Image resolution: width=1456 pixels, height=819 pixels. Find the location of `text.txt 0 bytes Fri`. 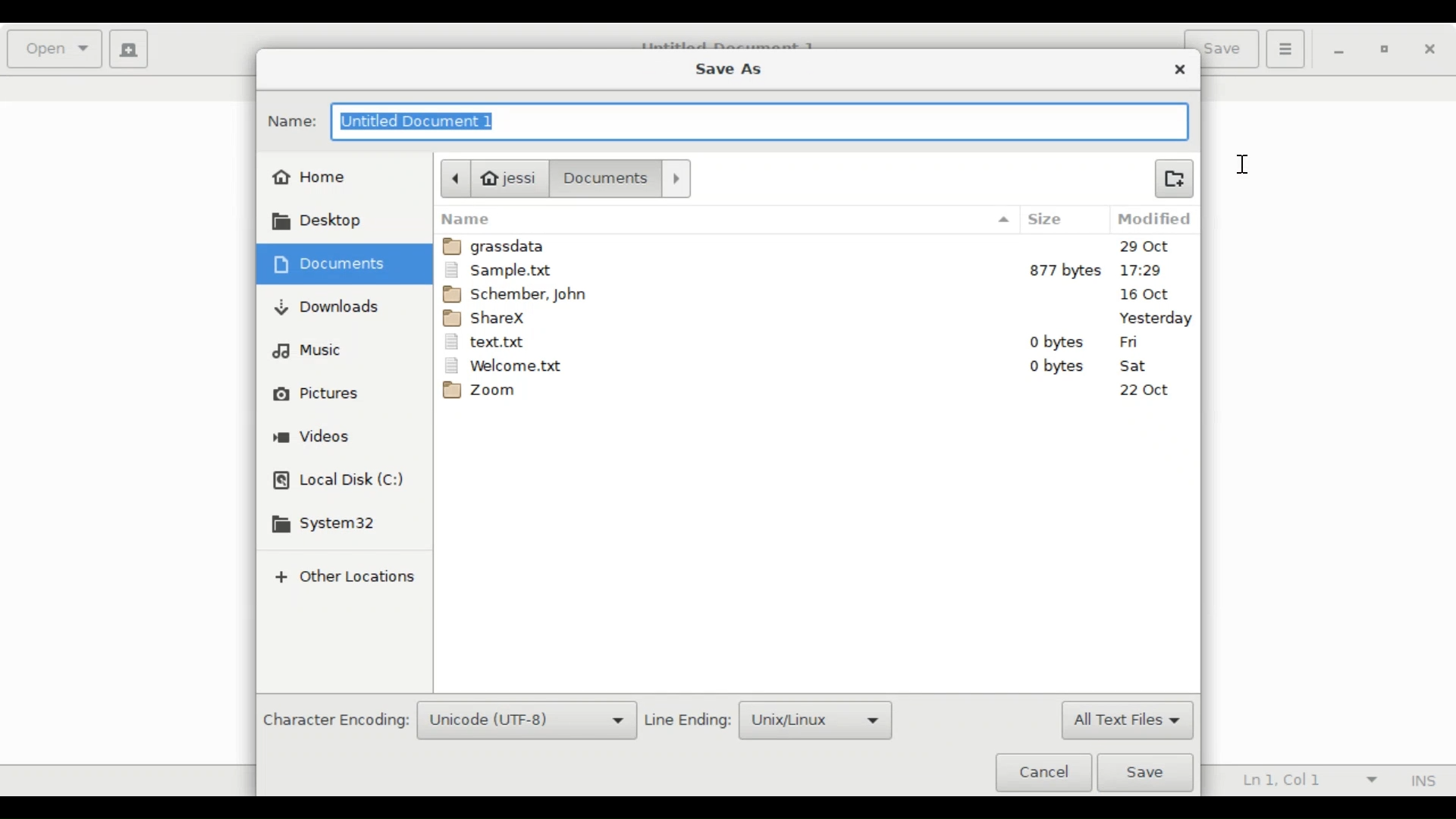

text.txt 0 bytes Fri is located at coordinates (815, 342).